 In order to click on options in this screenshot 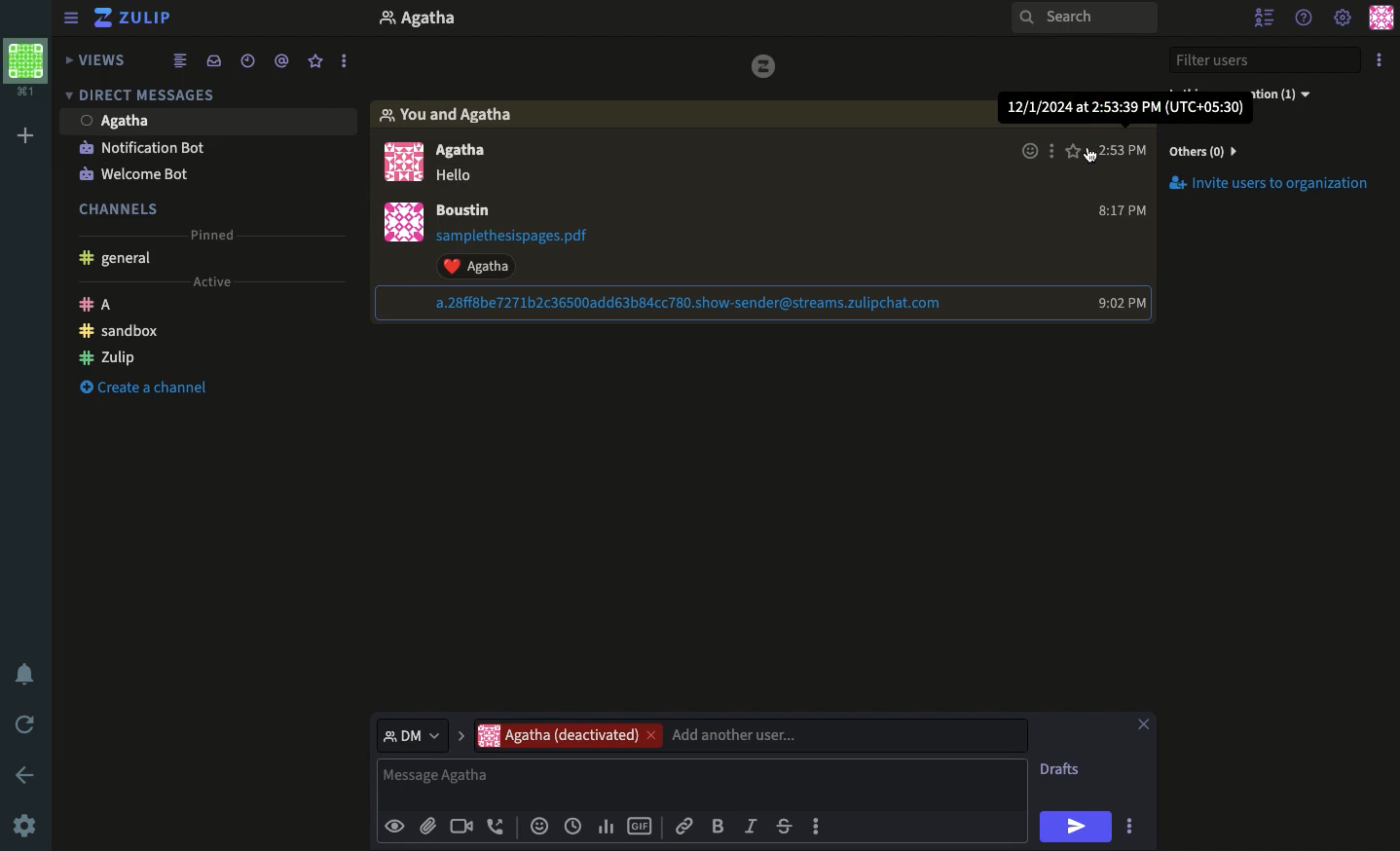, I will do `click(1051, 151)`.